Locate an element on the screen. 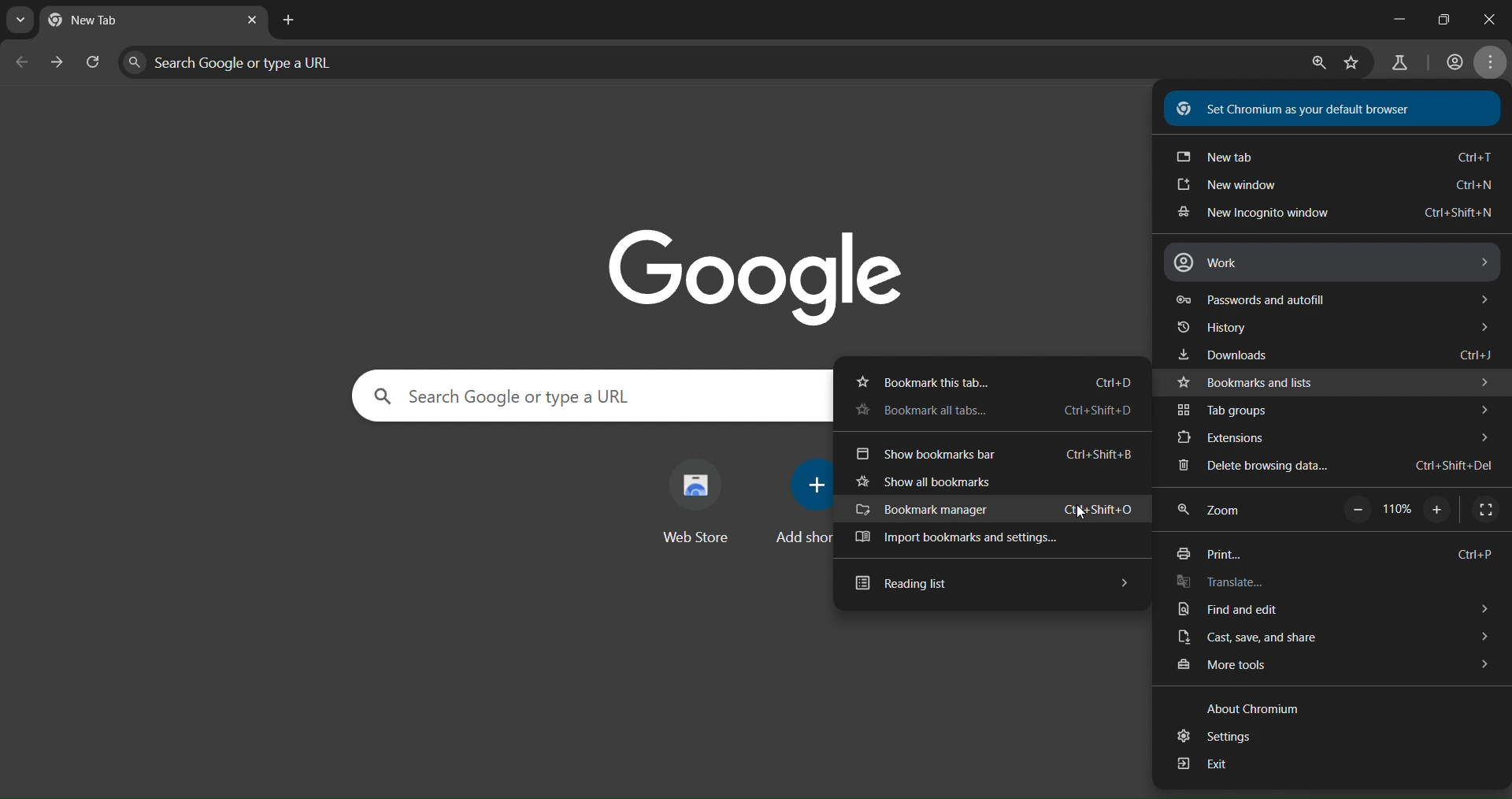 This screenshot has width=1512, height=799. translate is located at coordinates (1223, 581).